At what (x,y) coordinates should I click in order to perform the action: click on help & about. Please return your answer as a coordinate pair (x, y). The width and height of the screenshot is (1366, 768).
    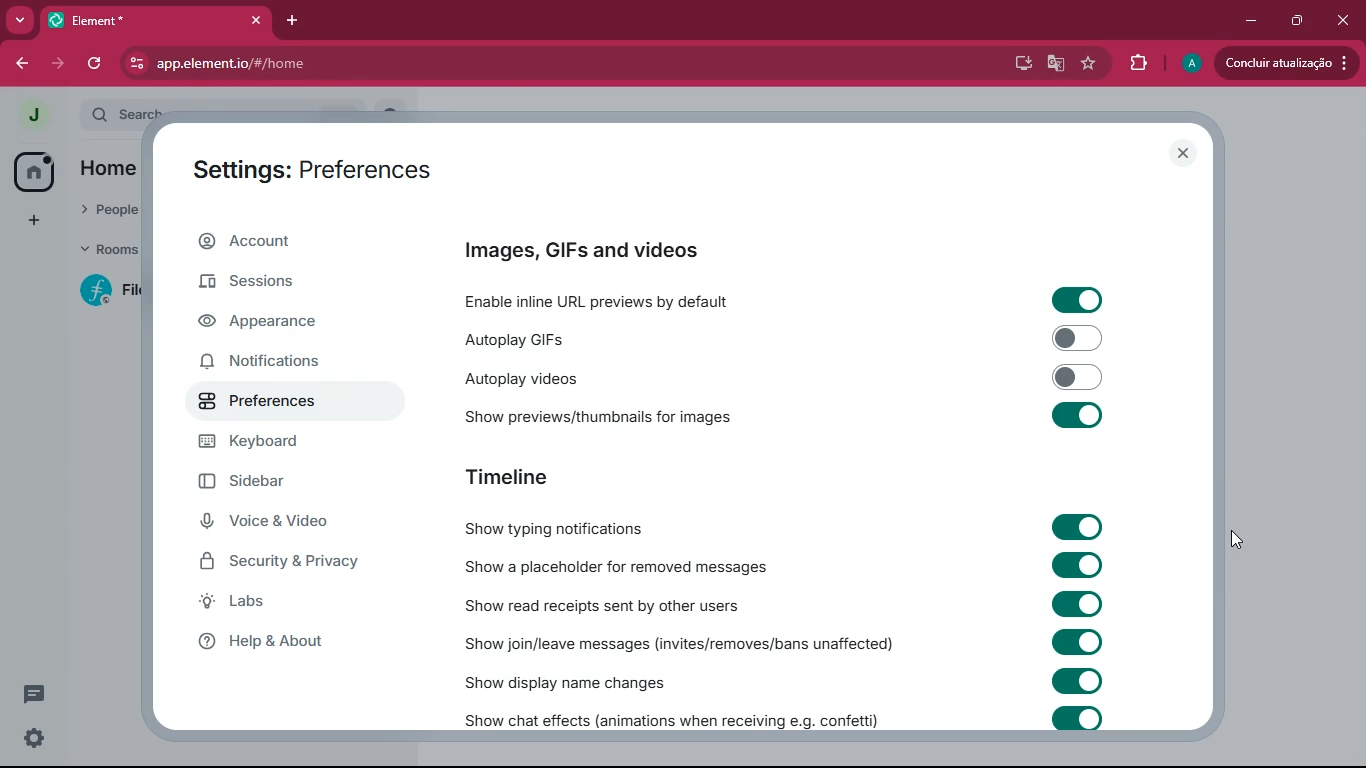
    Looking at the image, I should click on (273, 643).